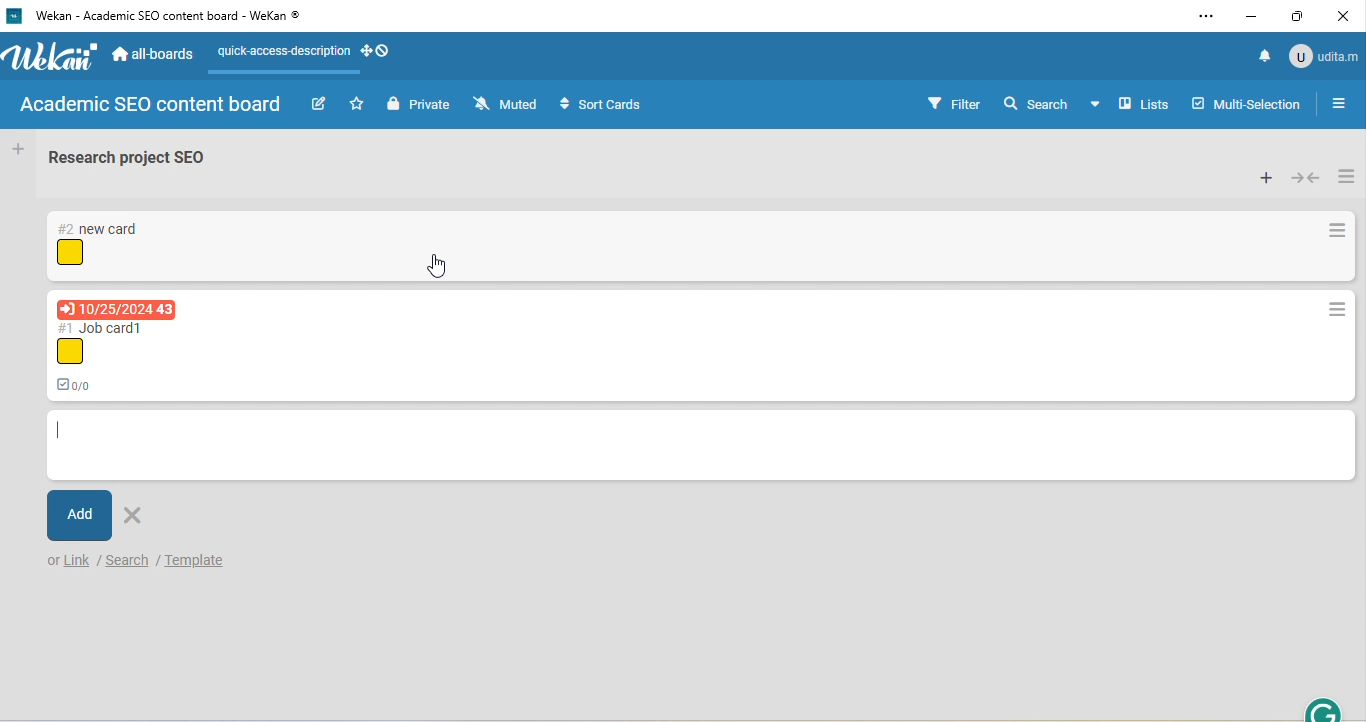 The image size is (1366, 722). Describe the element at coordinates (1338, 232) in the screenshot. I see `card actions` at that location.